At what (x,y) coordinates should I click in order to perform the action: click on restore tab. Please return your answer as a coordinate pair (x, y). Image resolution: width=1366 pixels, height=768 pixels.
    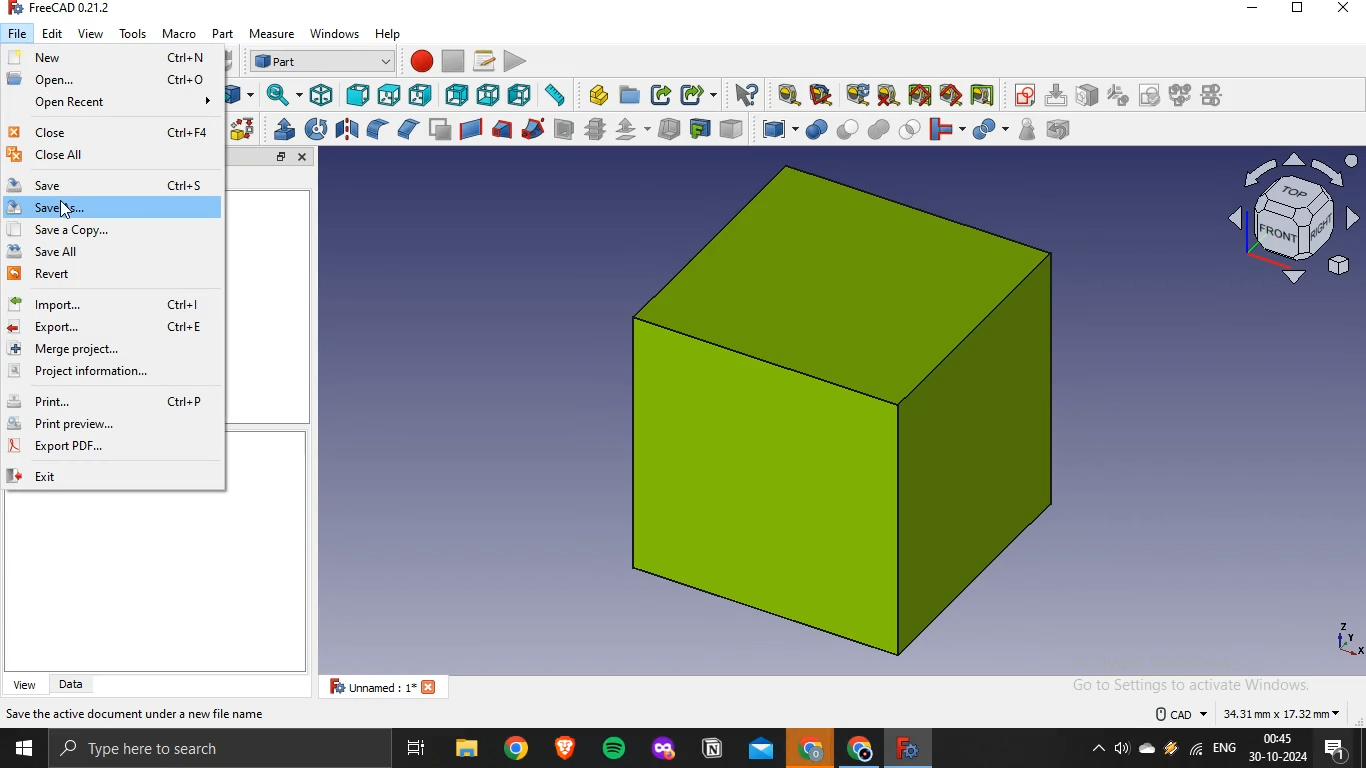
    Looking at the image, I should click on (282, 156).